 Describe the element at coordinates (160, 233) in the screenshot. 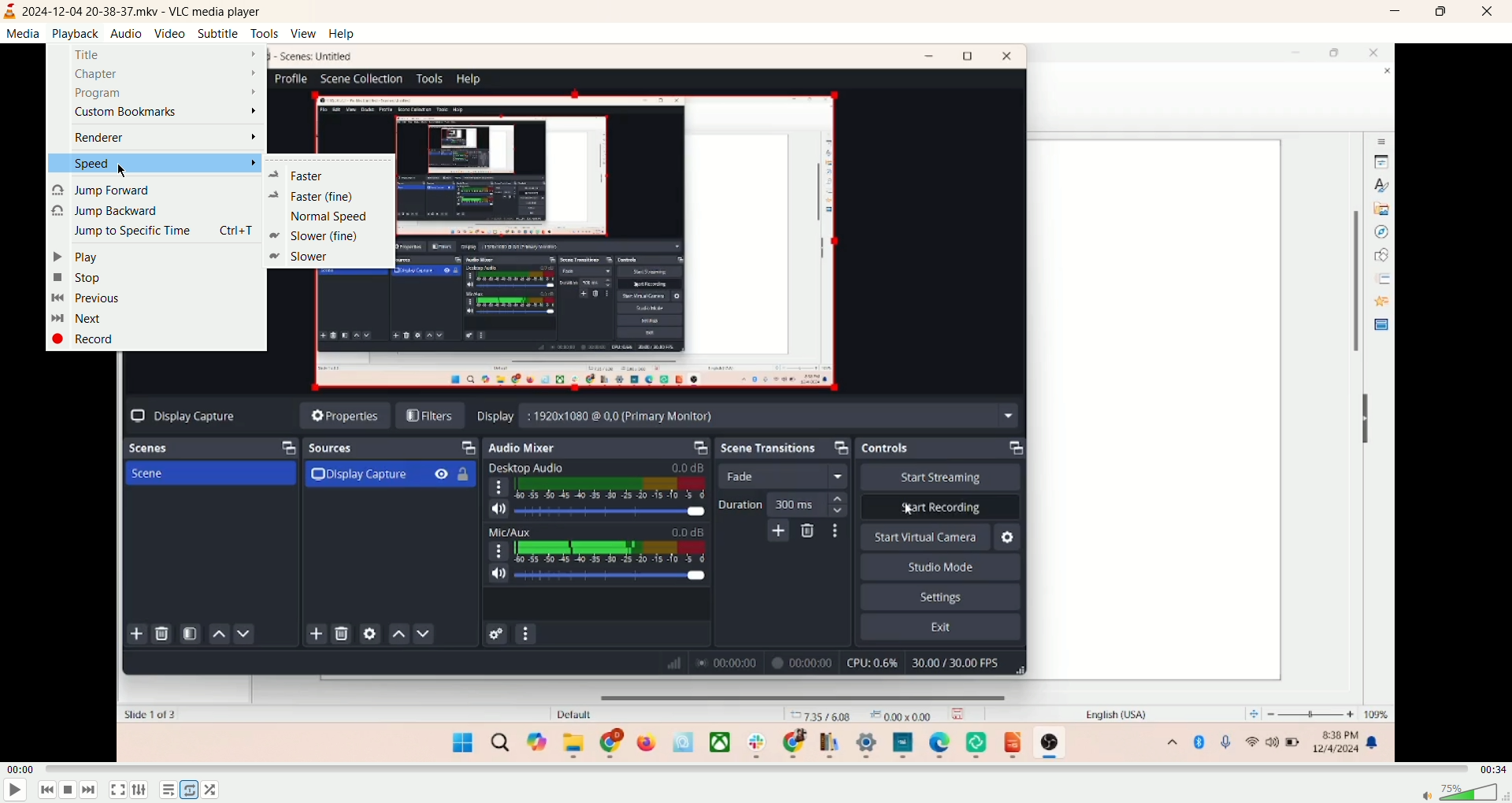

I see `jump to specific time` at that location.